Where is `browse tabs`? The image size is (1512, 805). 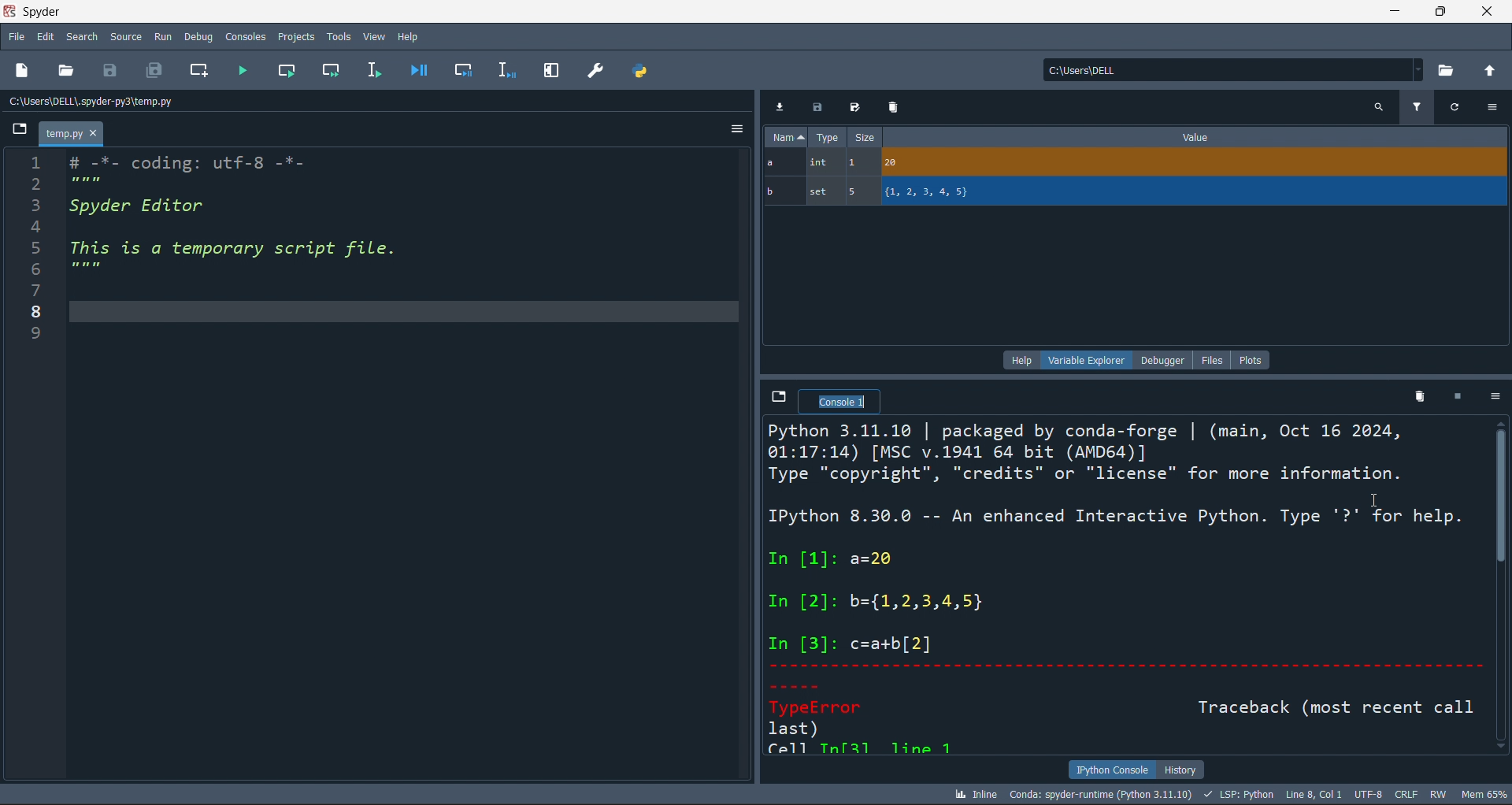
browse tabs is located at coordinates (776, 397).